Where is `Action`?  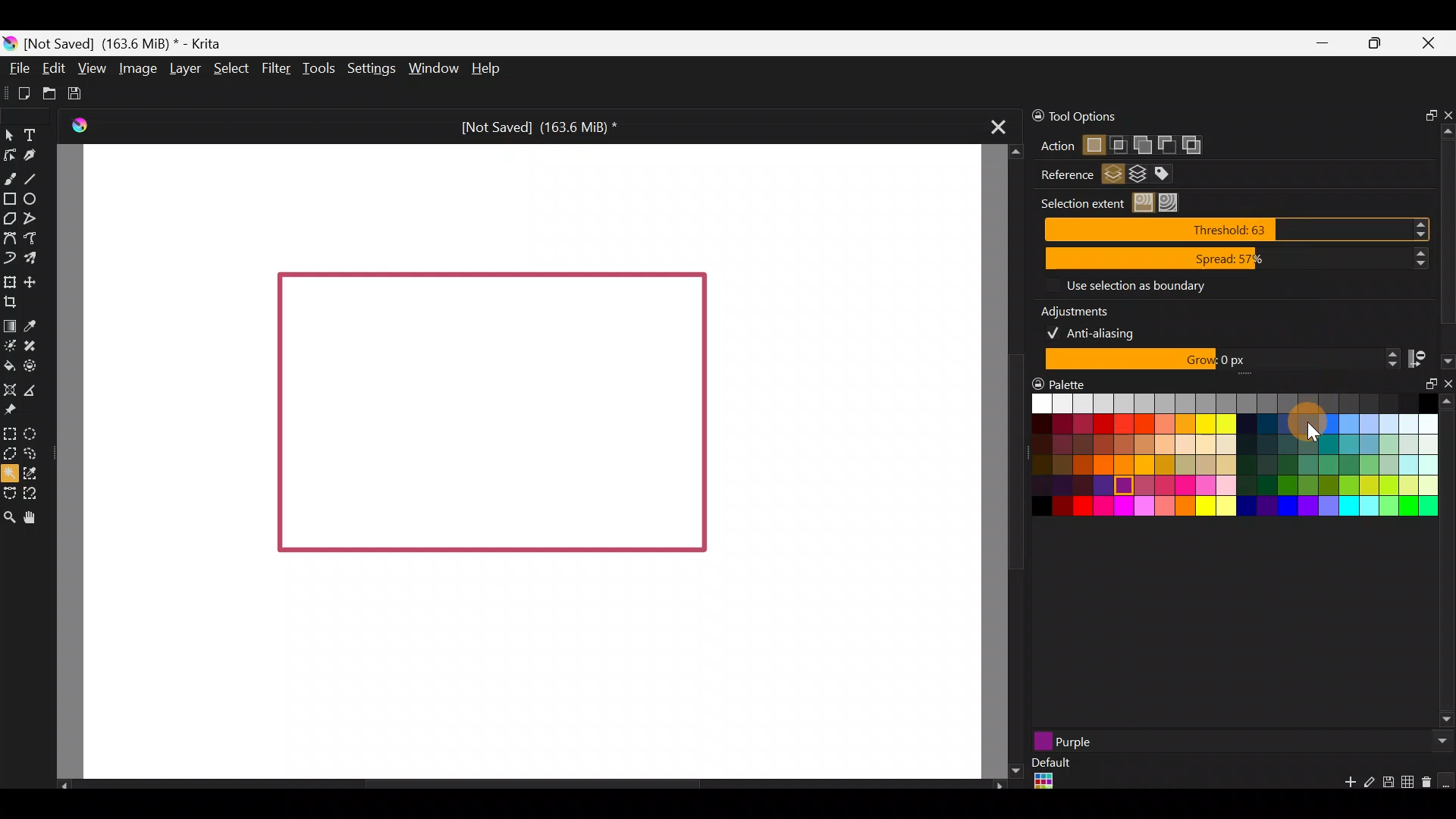
Action is located at coordinates (1050, 146).